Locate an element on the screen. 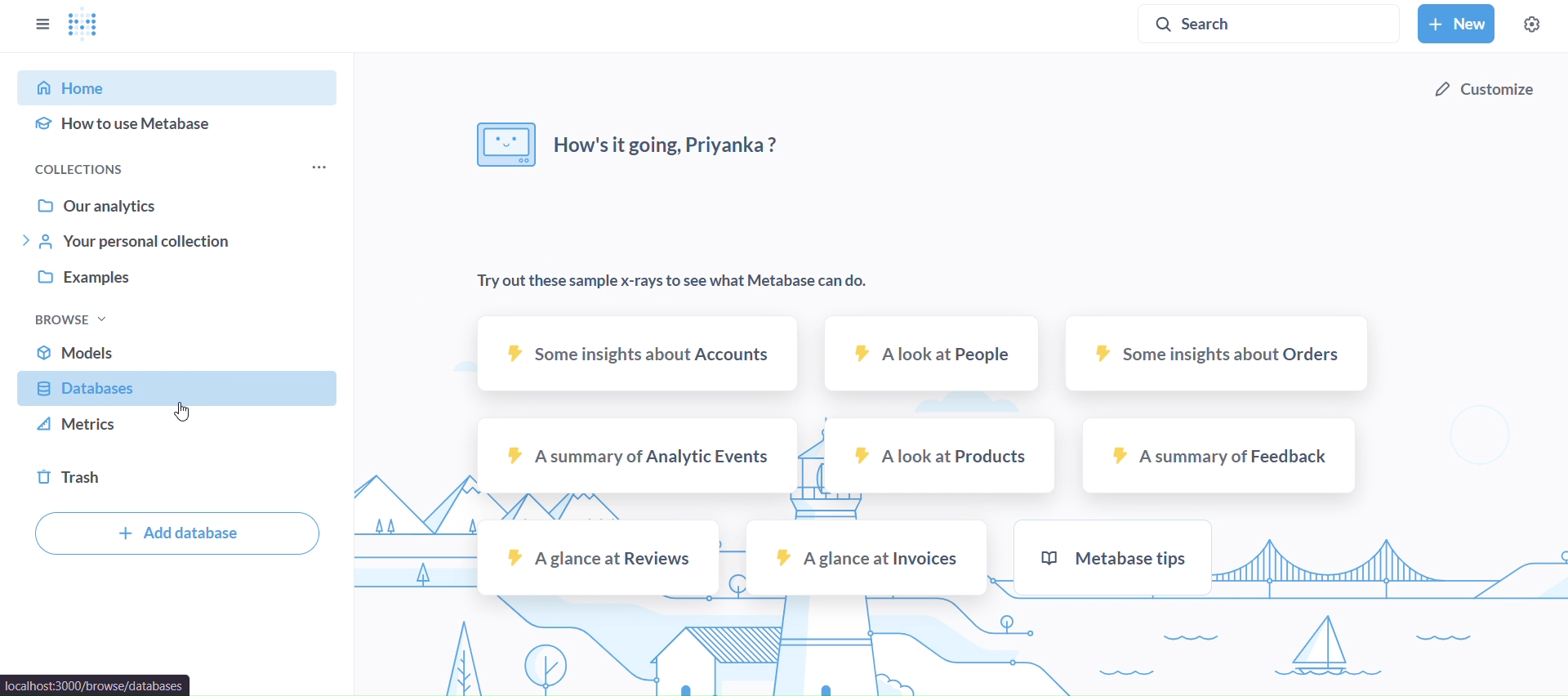 This screenshot has width=1568, height=696. search is located at coordinates (1225, 23).